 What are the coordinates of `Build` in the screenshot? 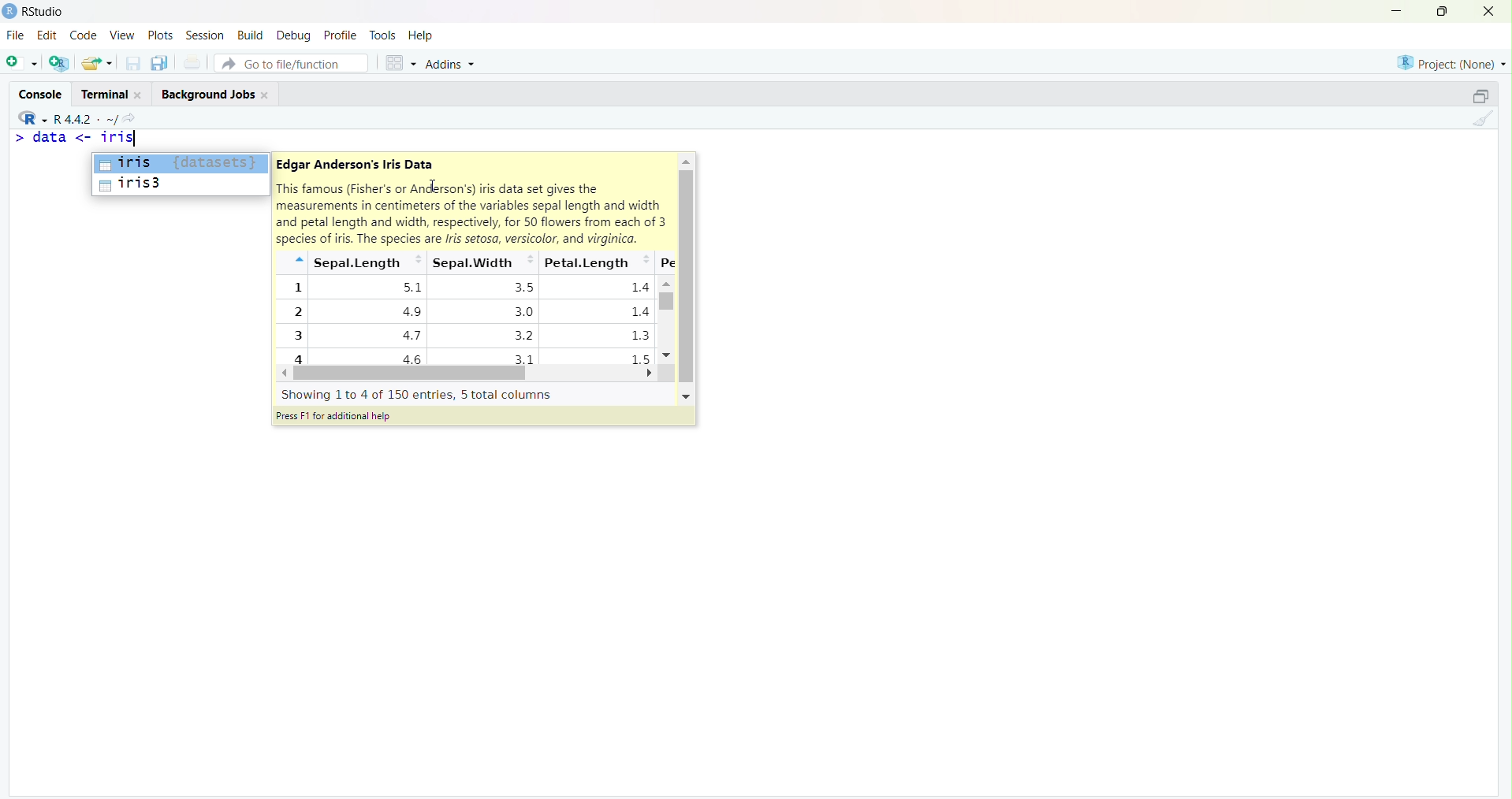 It's located at (252, 34).